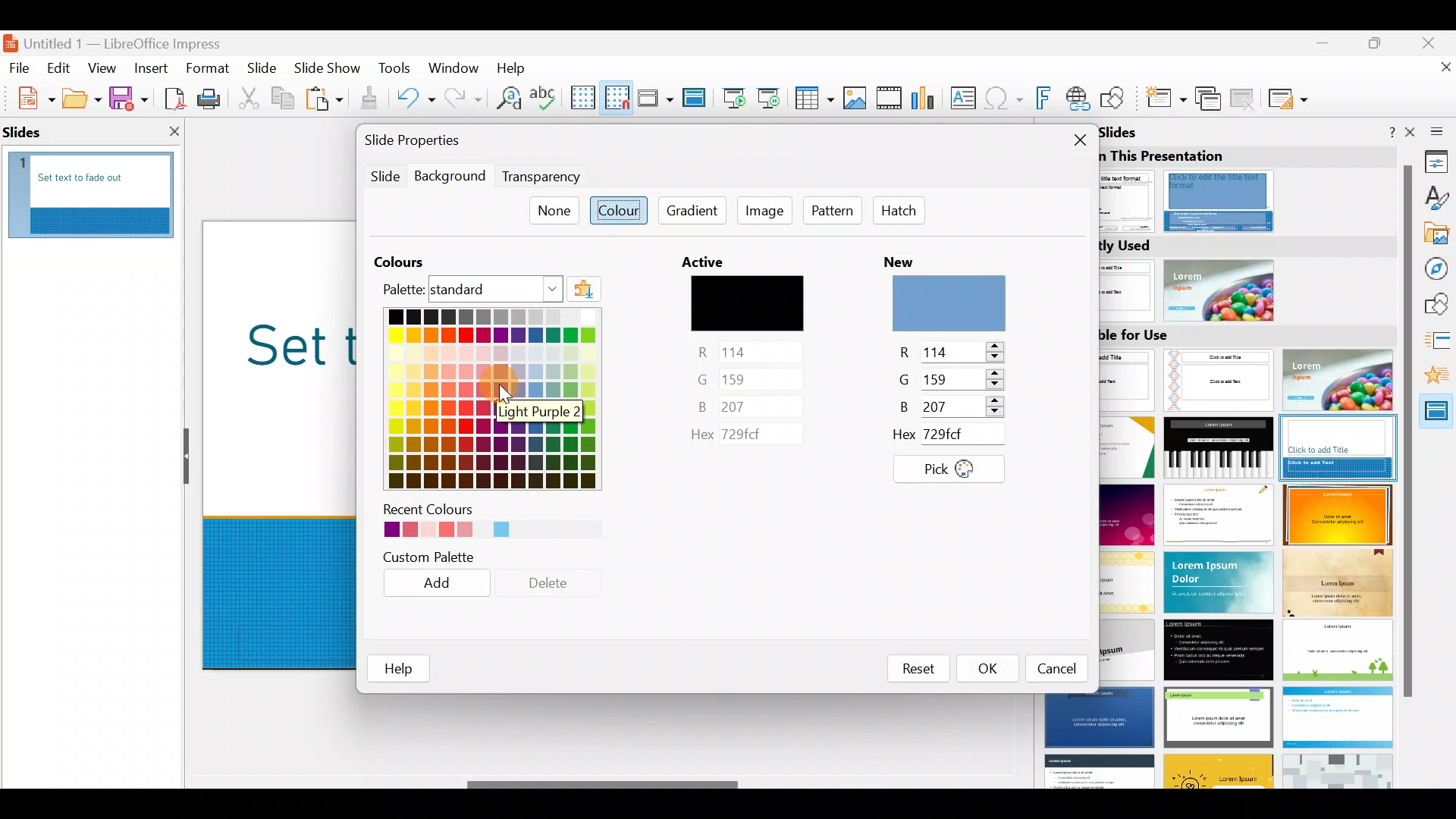 The height and width of the screenshot is (819, 1456). What do you see at coordinates (1006, 100) in the screenshot?
I see `Insert special characters` at bounding box center [1006, 100].